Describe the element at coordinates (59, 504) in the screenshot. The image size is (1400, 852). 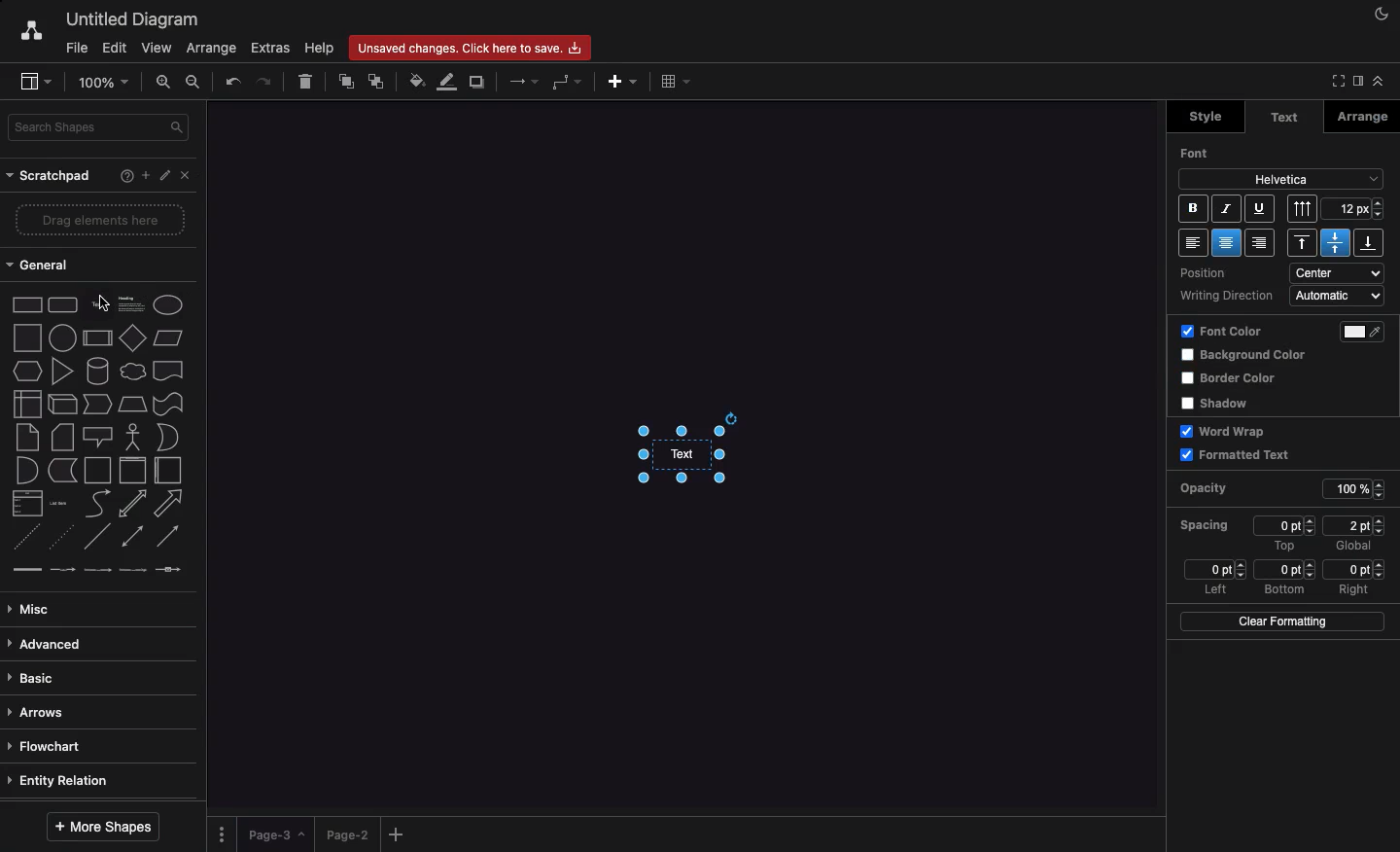
I see `list item` at that location.